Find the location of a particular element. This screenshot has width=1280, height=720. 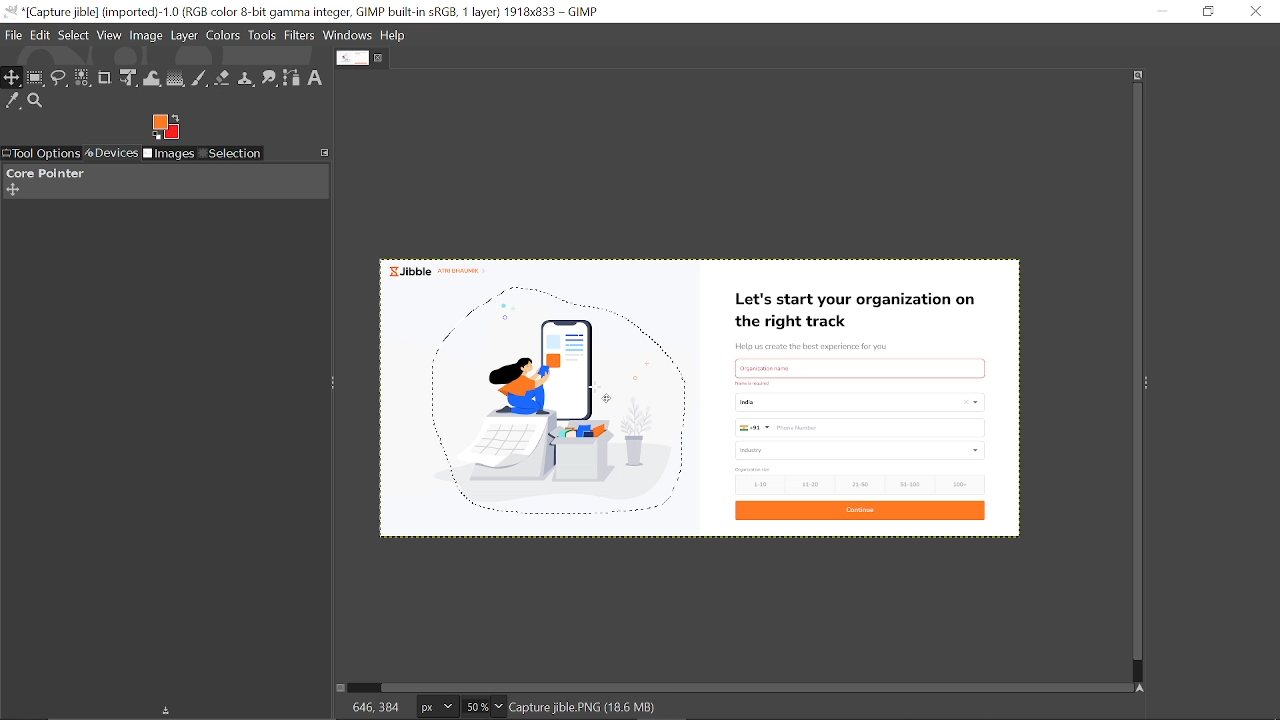

Configure this tab is located at coordinates (326, 151).